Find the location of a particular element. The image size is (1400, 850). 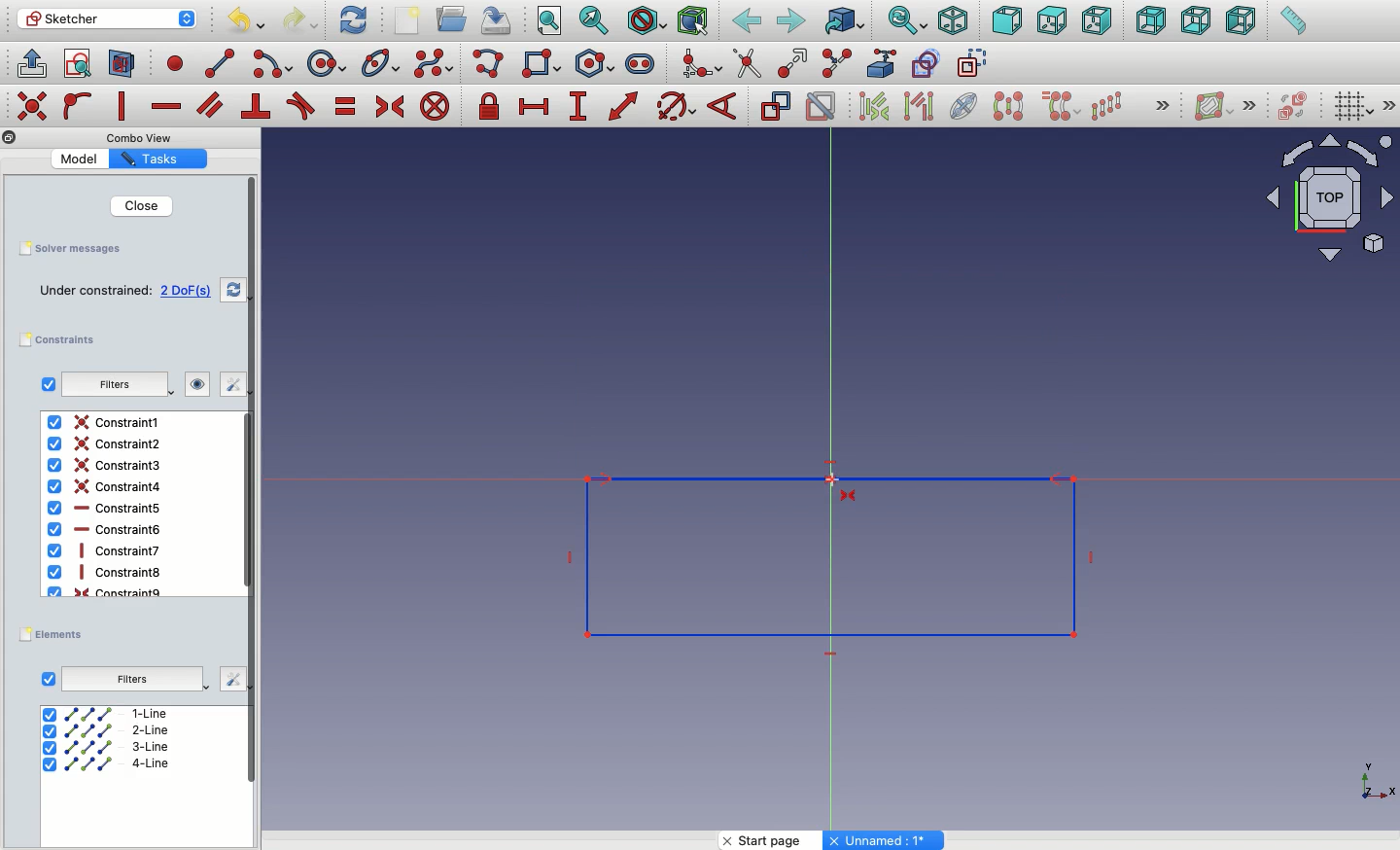

Symmetrical  is located at coordinates (810, 582).